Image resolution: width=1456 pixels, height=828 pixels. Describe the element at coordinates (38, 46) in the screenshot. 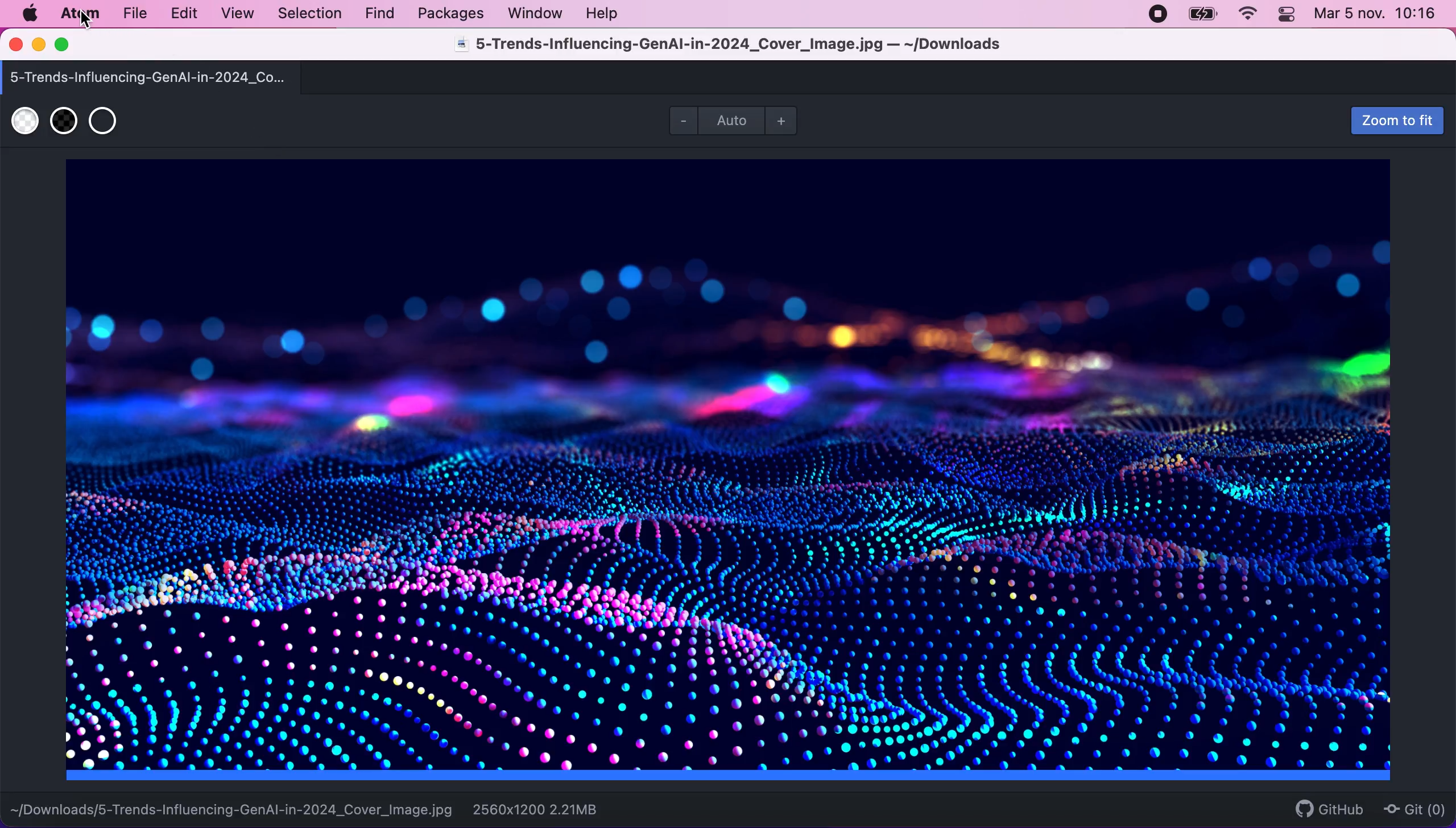

I see `minimize` at that location.